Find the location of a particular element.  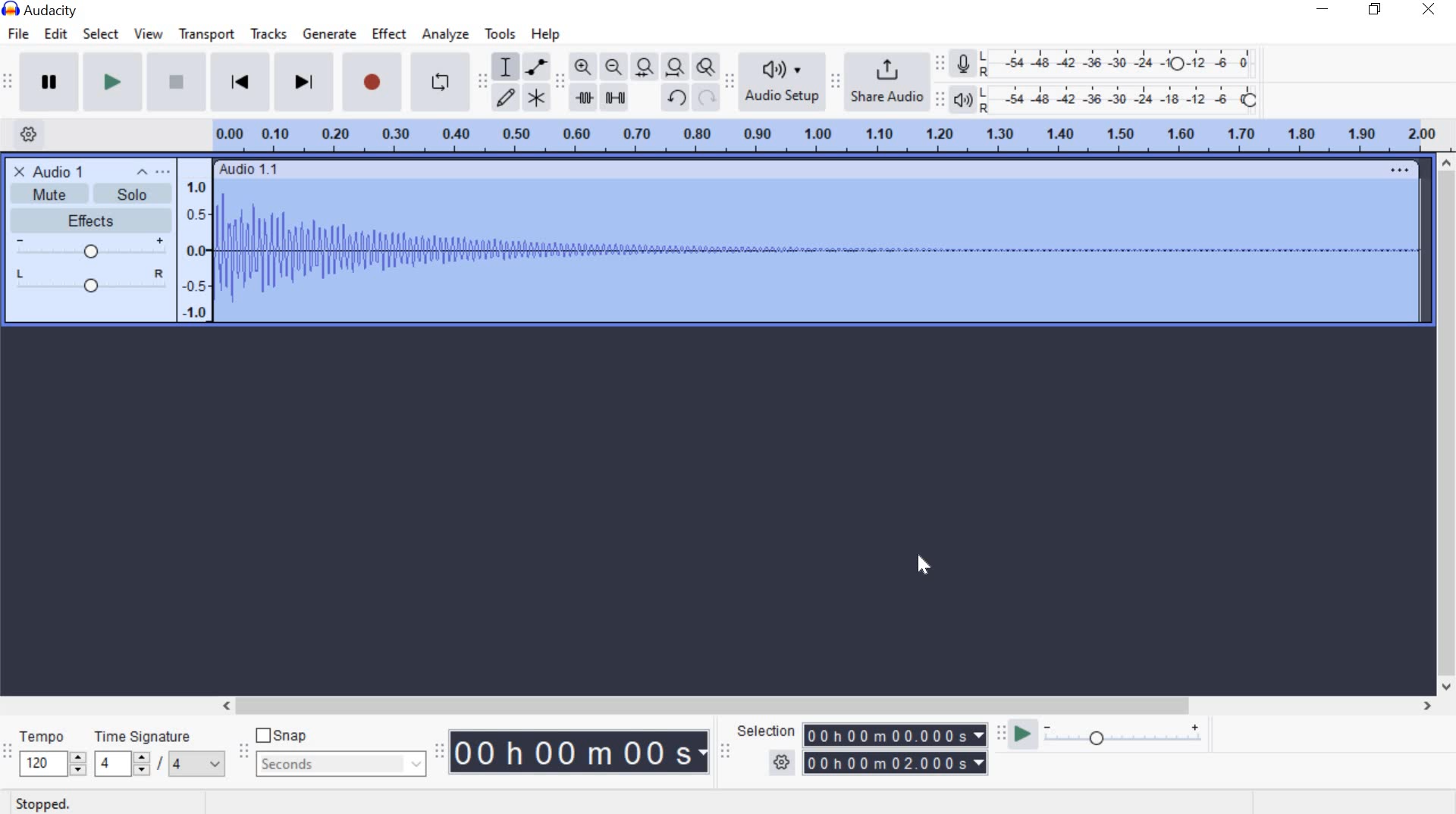

Selection toolbar is located at coordinates (727, 751).